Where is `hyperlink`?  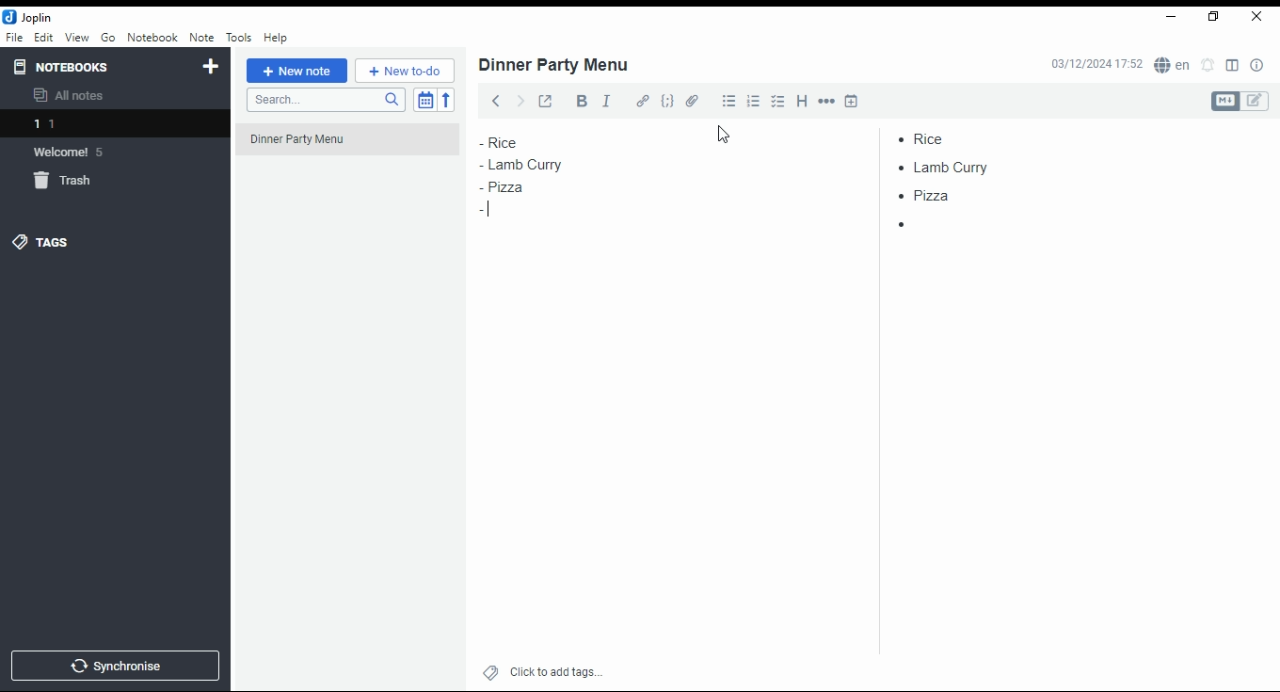
hyperlink is located at coordinates (642, 102).